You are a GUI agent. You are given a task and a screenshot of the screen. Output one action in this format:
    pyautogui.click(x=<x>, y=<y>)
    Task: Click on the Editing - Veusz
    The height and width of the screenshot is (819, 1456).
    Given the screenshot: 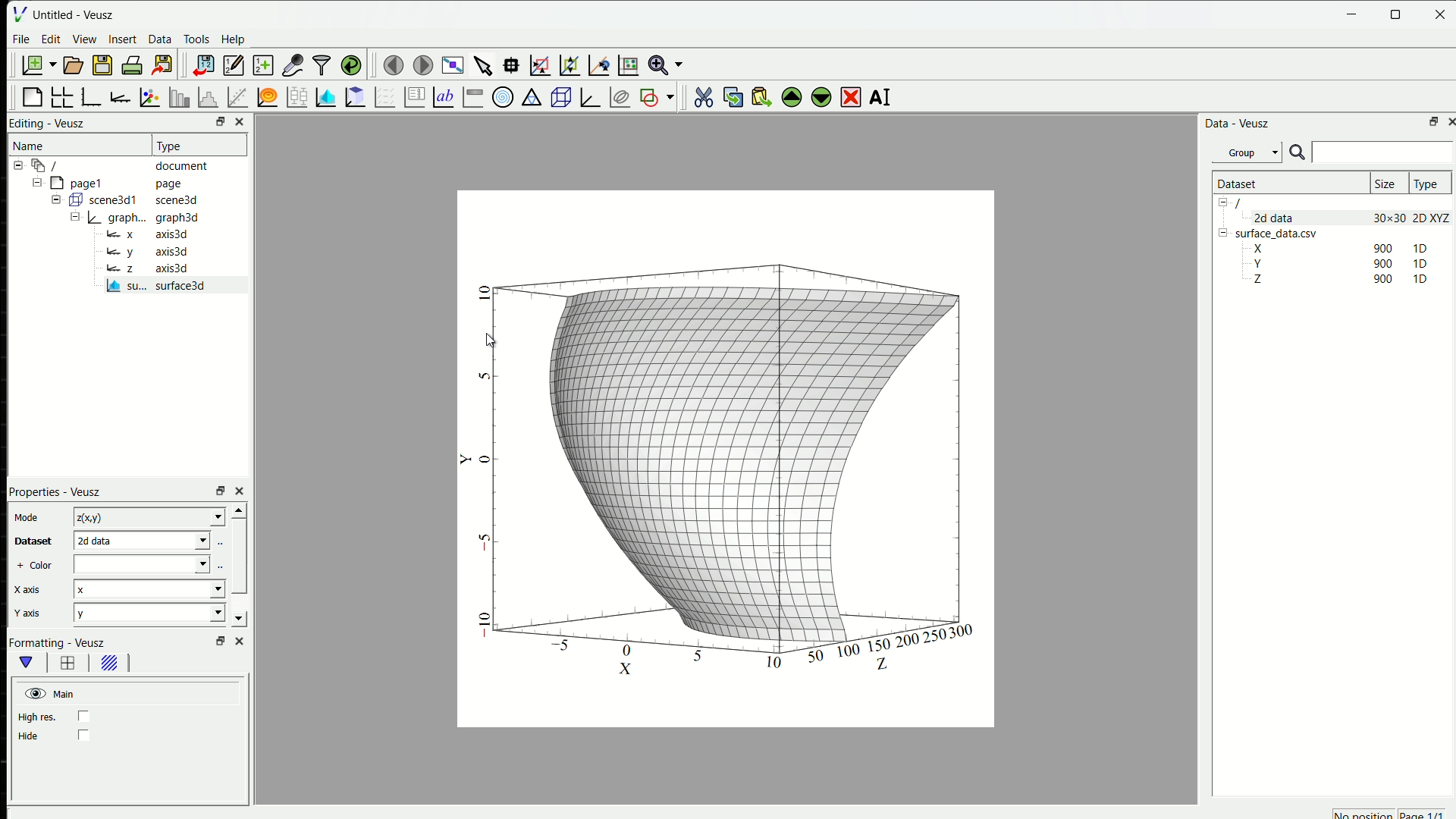 What is the action you would take?
    pyautogui.click(x=49, y=124)
    